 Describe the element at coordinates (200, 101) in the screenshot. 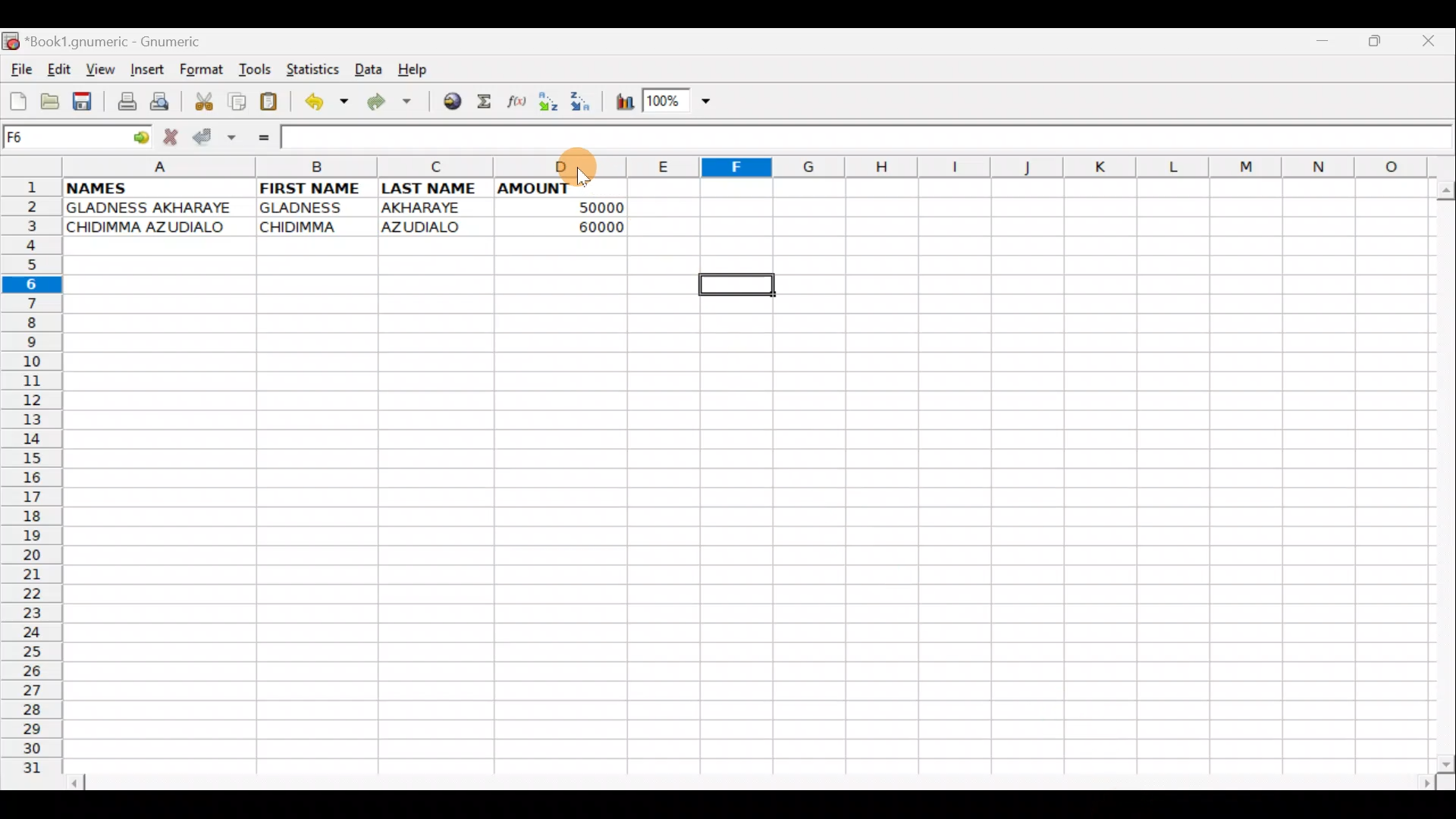

I see `Cut selection` at that location.